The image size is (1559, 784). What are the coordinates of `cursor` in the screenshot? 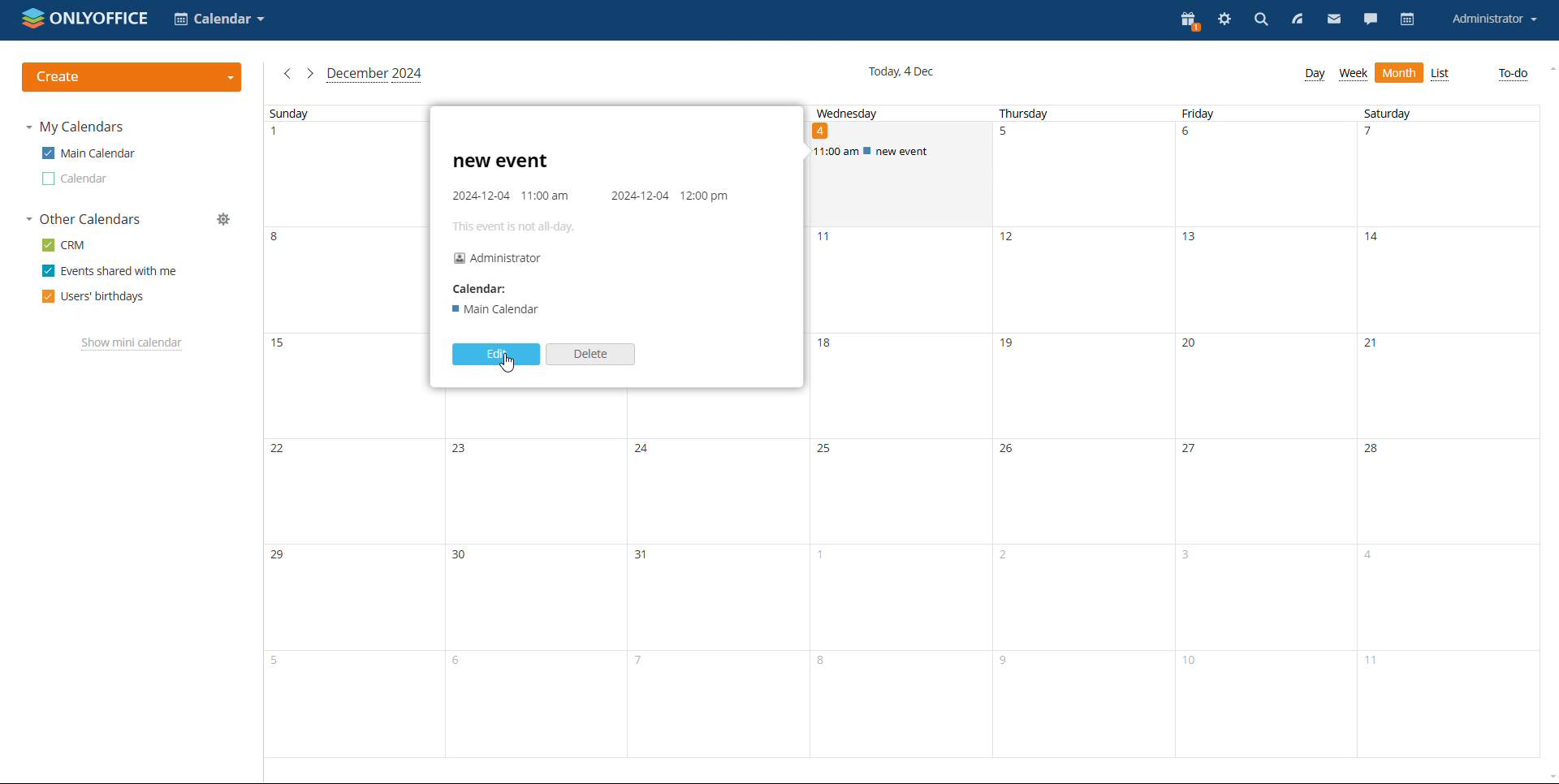 It's located at (508, 365).